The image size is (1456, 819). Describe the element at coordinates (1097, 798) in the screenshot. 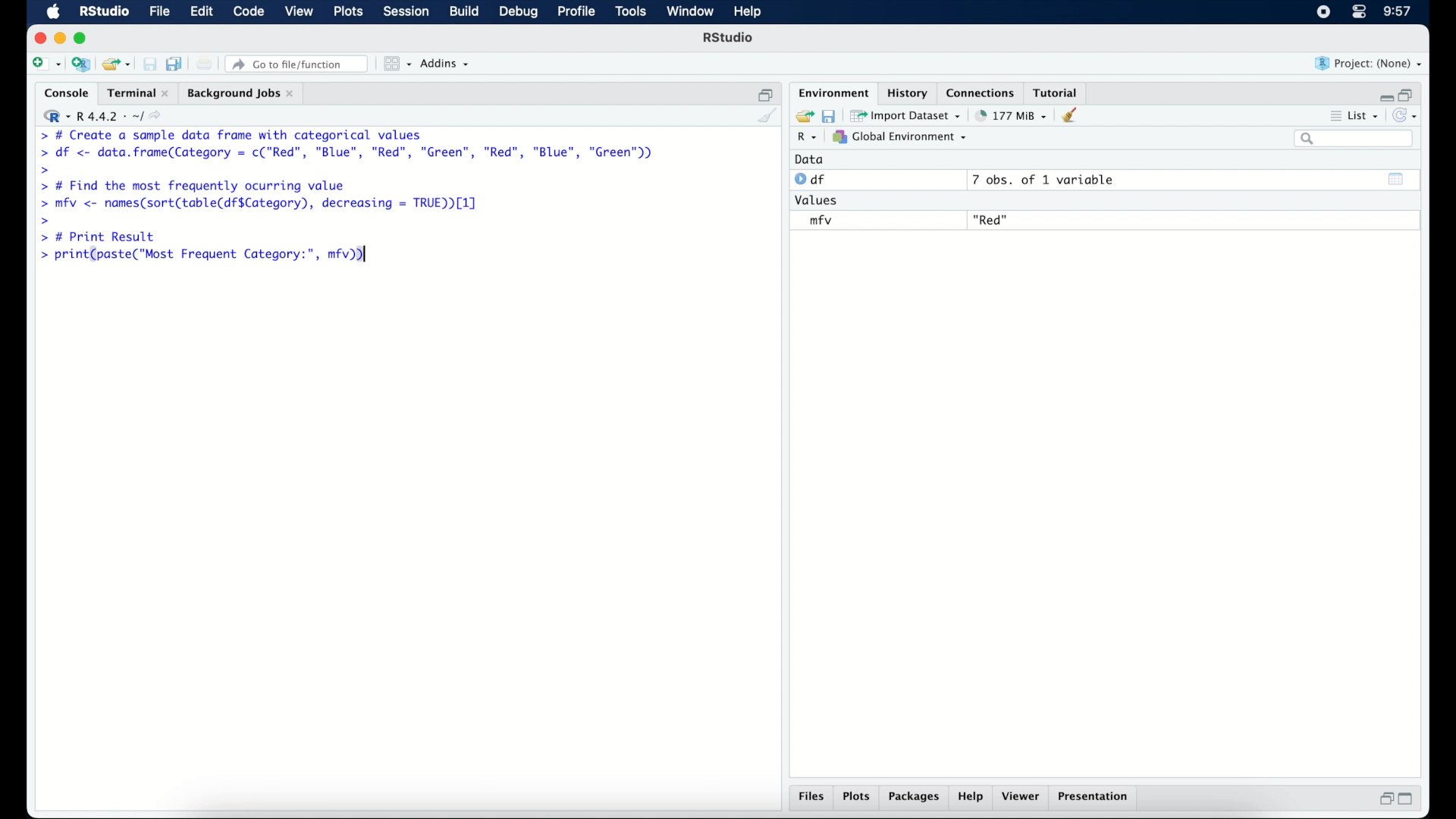

I see `presentation` at that location.